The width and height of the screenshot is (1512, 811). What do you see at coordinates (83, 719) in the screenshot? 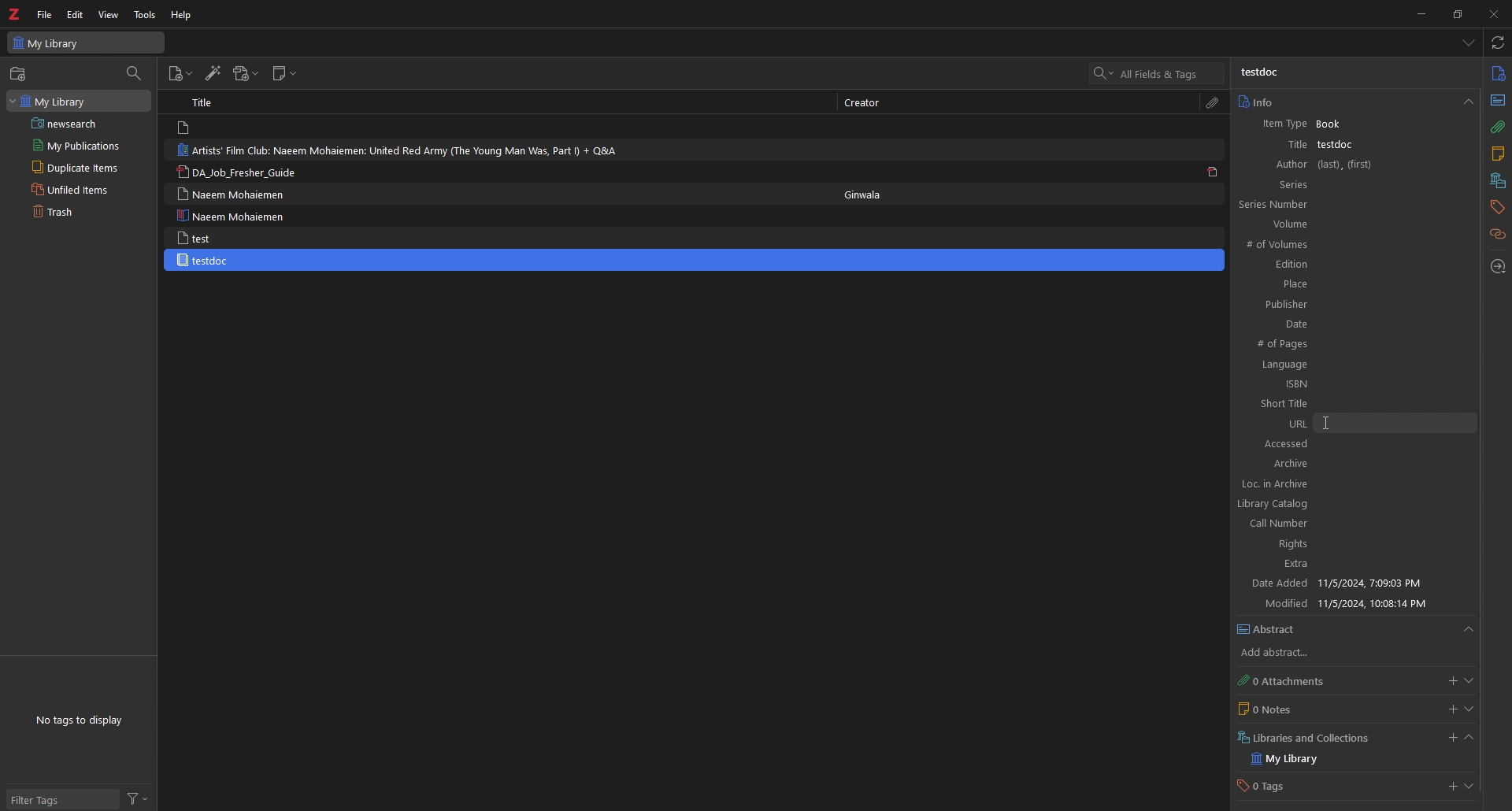
I see `No tags to display` at bounding box center [83, 719].